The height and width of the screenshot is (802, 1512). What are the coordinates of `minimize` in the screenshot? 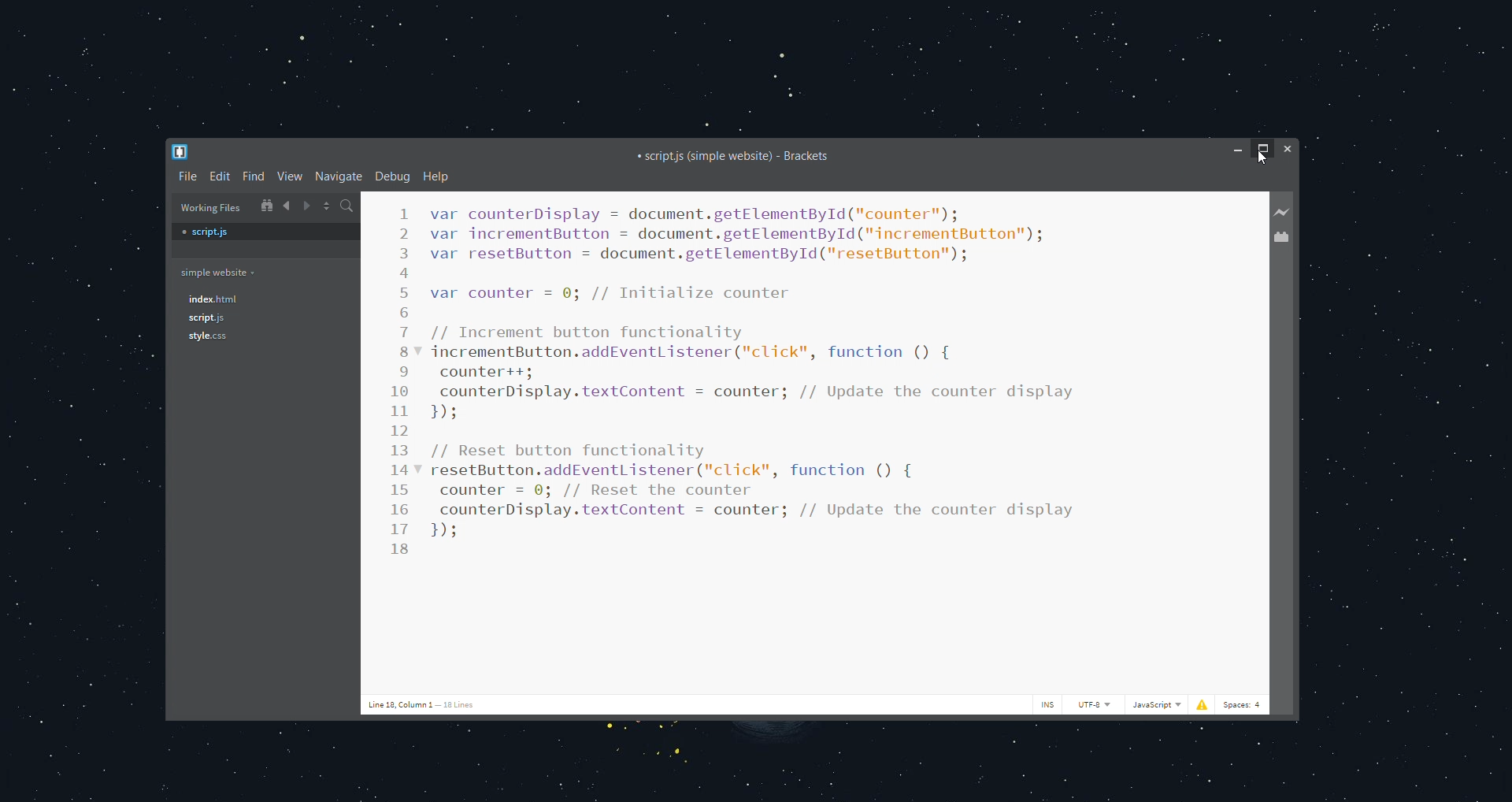 It's located at (1237, 150).